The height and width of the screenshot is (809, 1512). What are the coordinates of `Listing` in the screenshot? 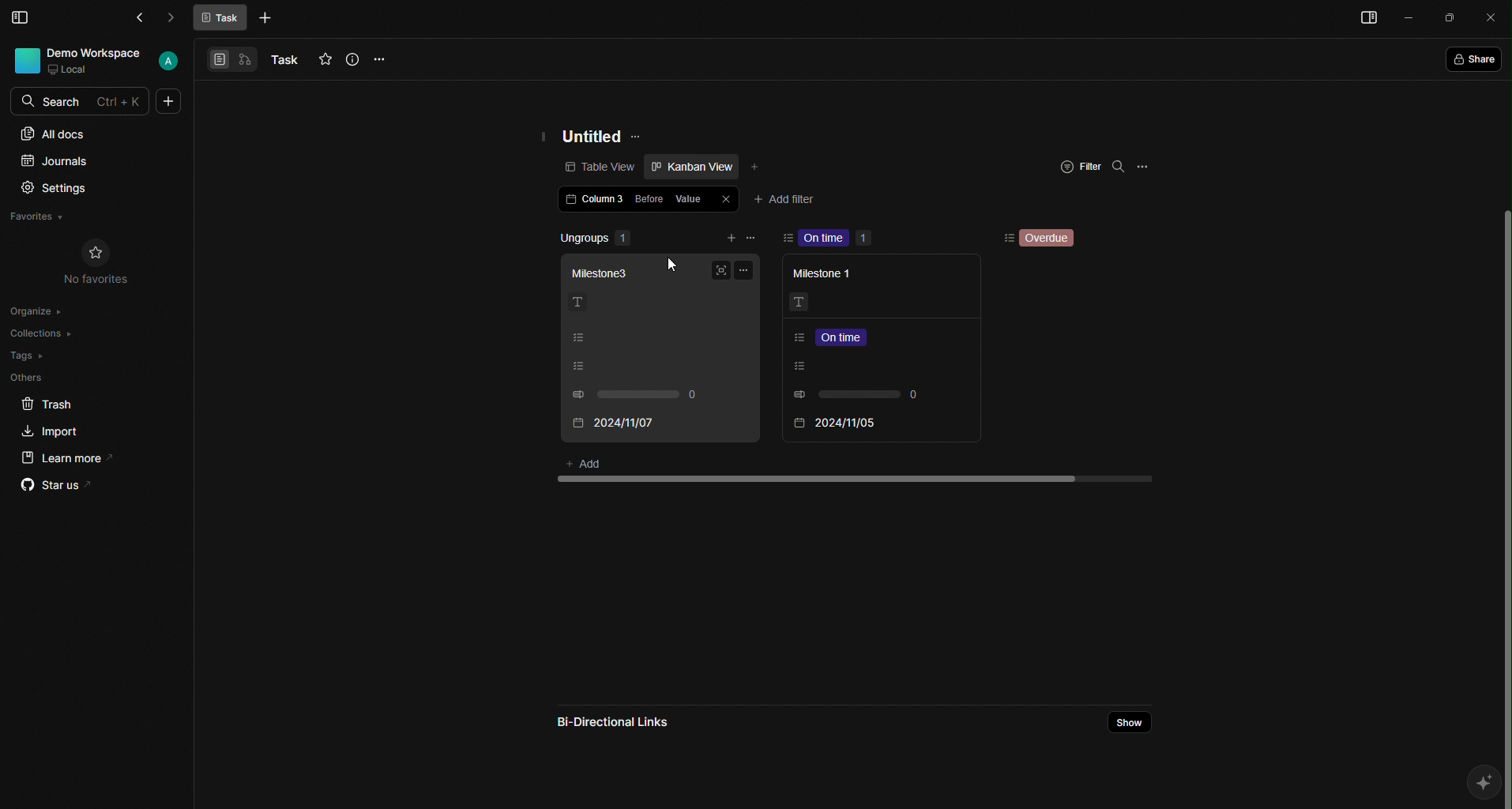 It's located at (590, 367).